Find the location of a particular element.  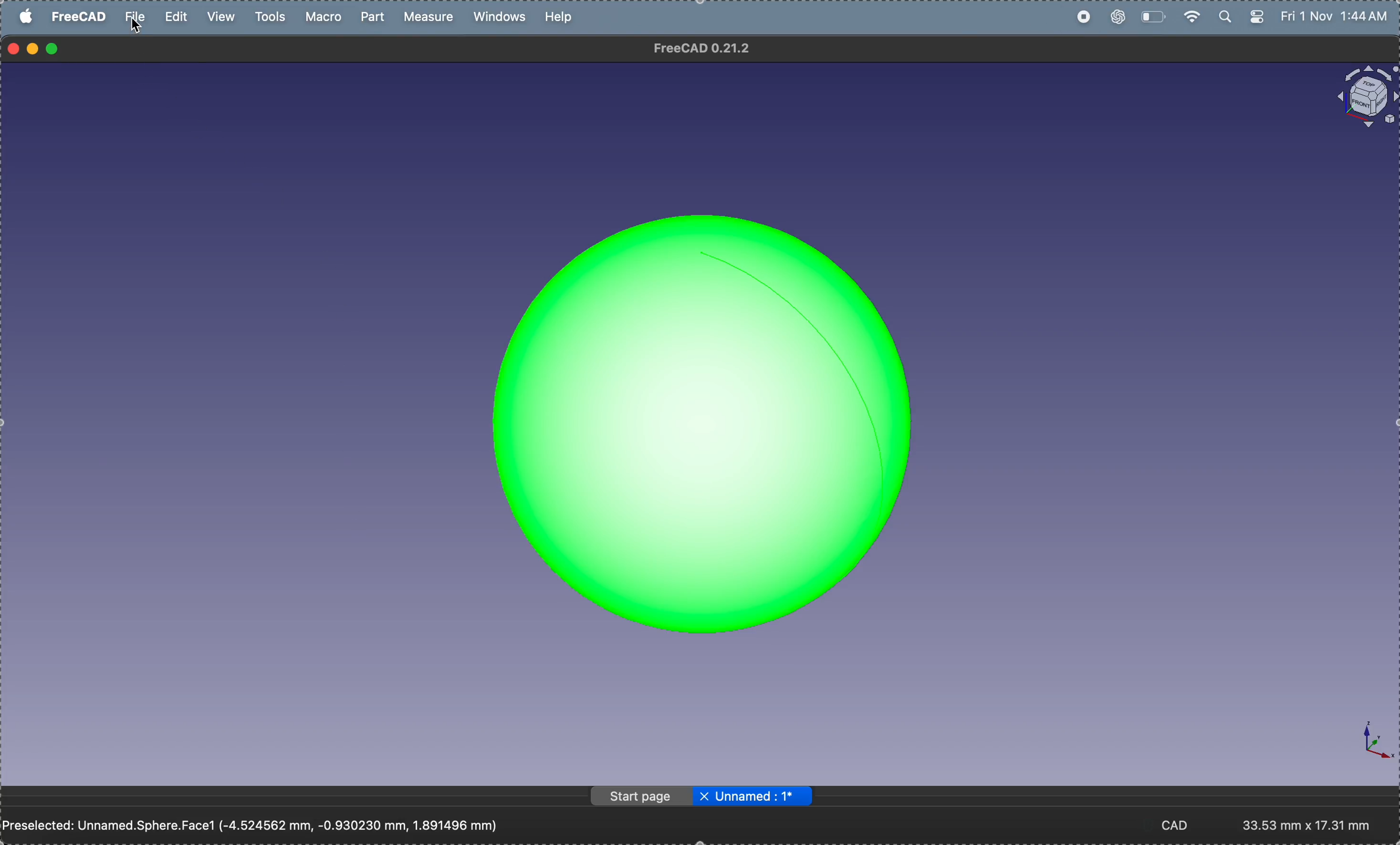

measure is located at coordinates (432, 18).